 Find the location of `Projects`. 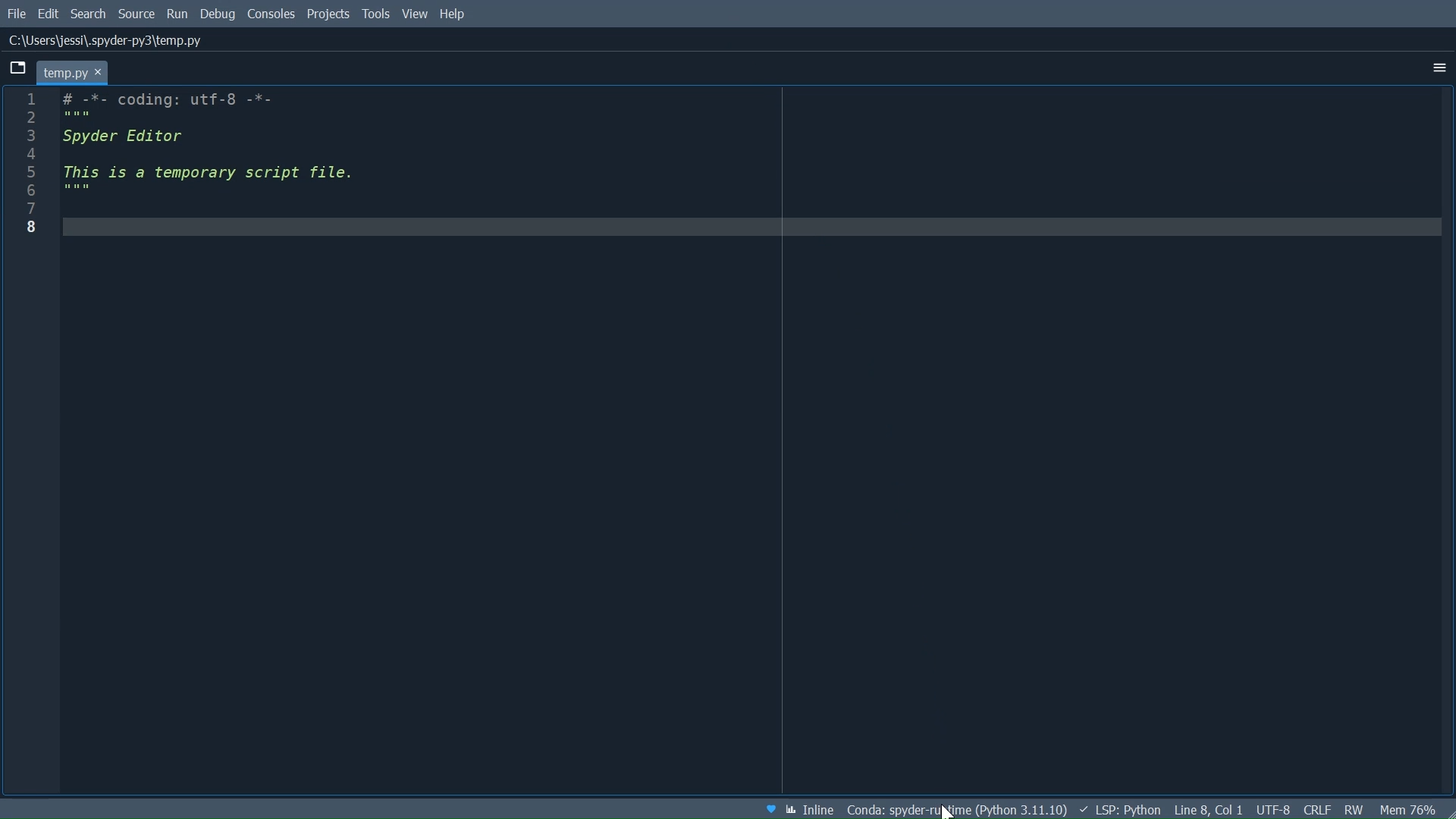

Projects is located at coordinates (329, 14).